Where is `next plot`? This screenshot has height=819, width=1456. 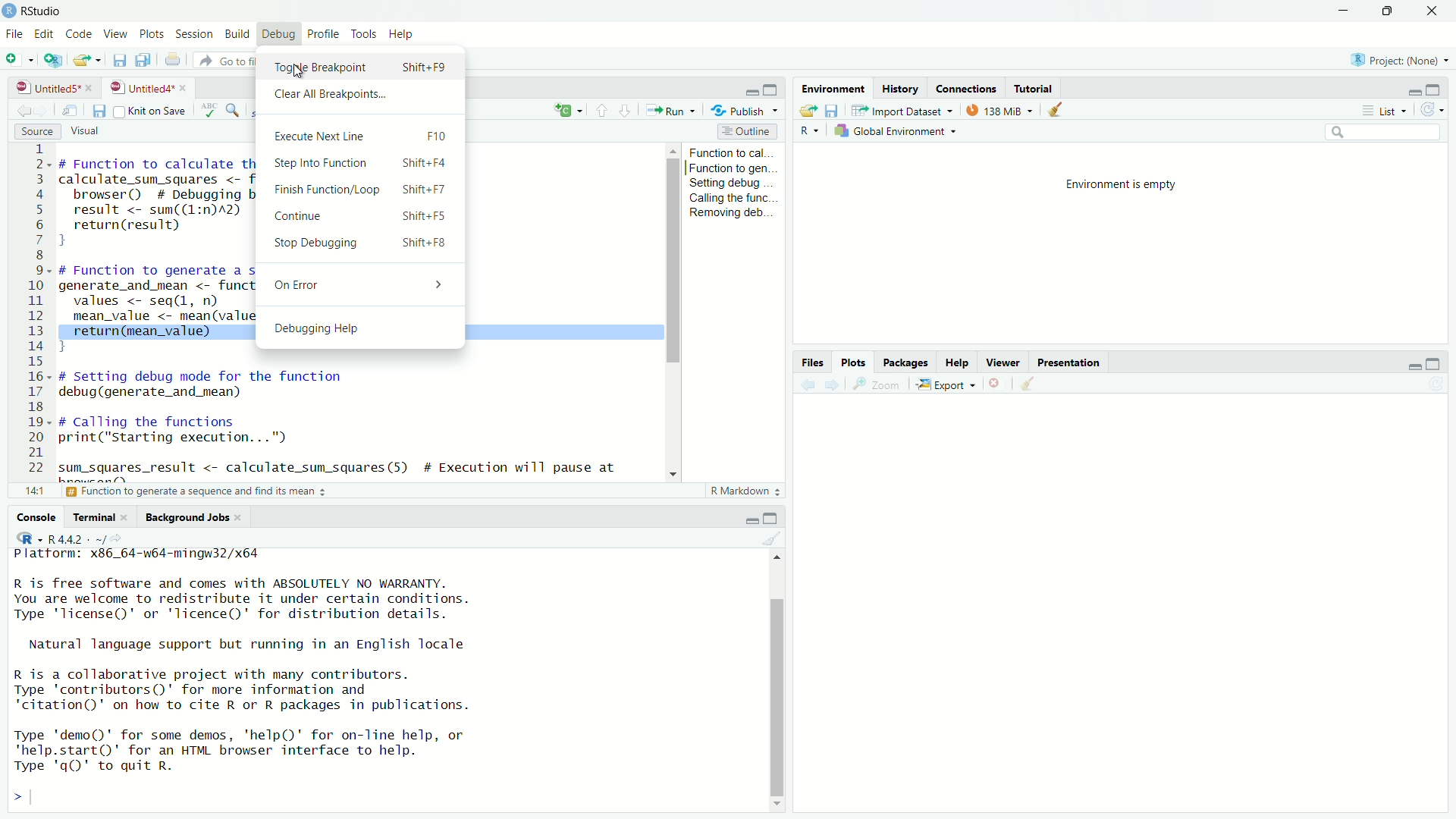 next plot is located at coordinates (836, 384).